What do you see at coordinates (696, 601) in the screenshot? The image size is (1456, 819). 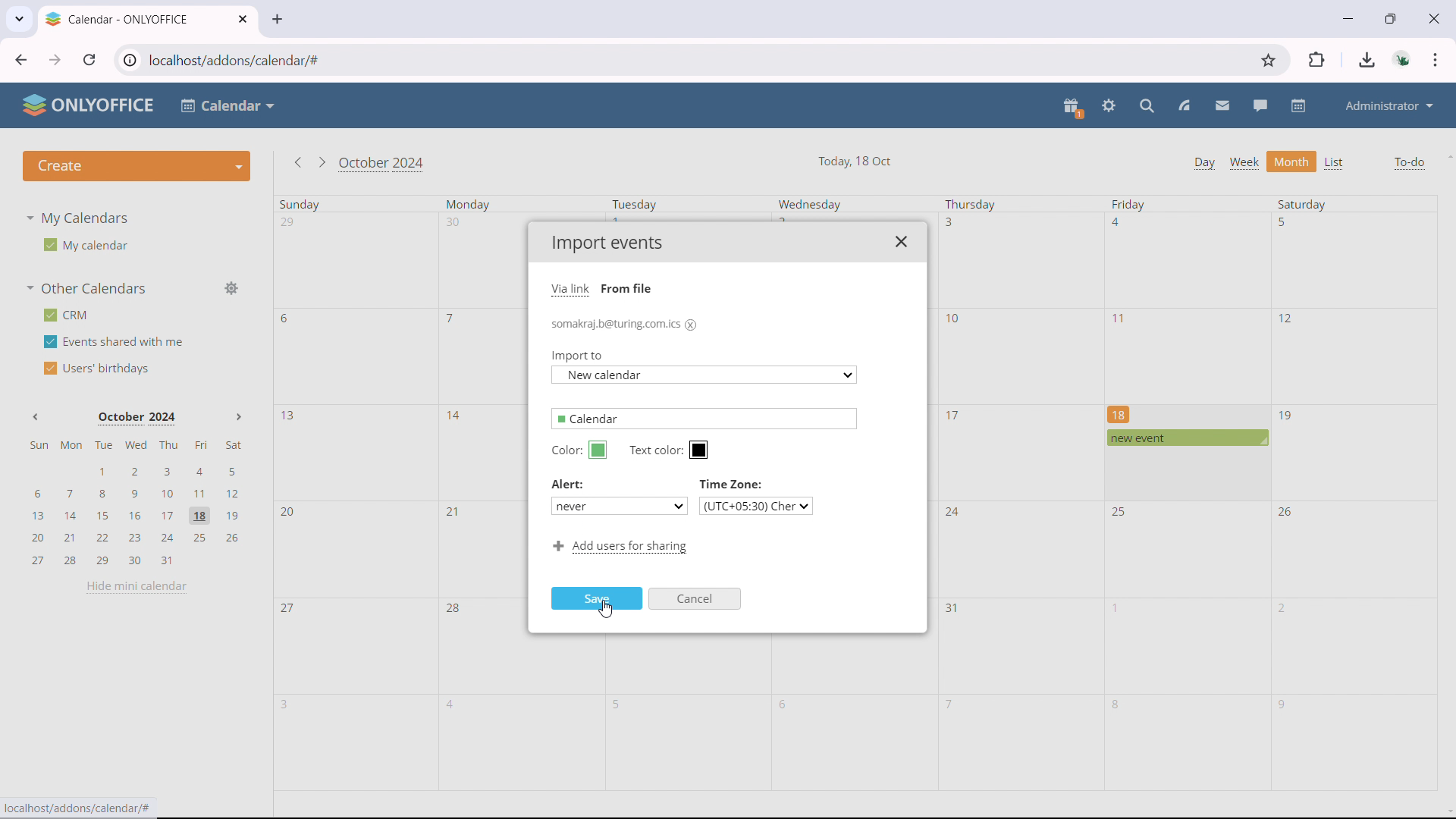 I see `Cancel` at bounding box center [696, 601].